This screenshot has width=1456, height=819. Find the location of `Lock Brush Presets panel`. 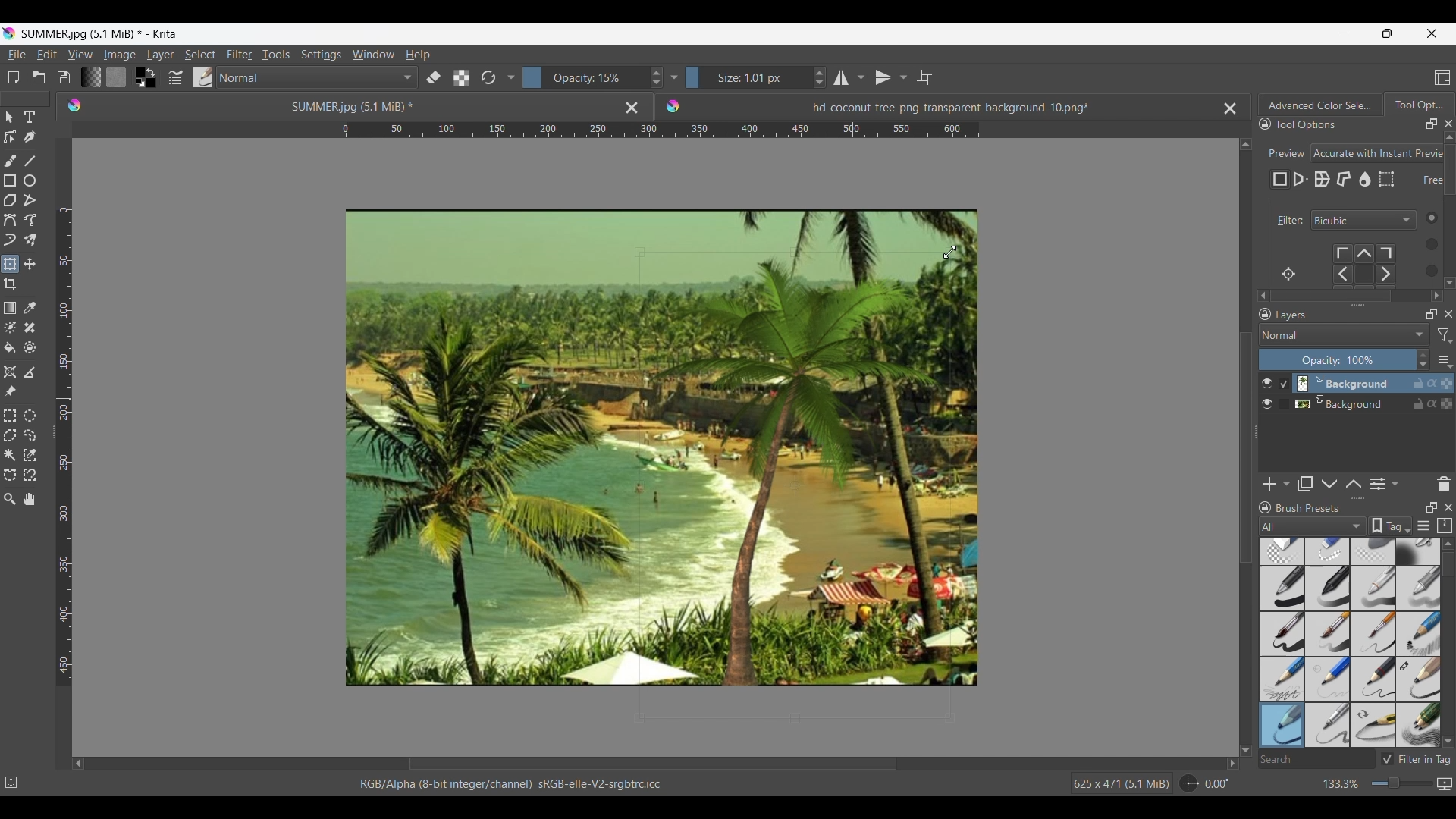

Lock Brush Presets panel is located at coordinates (1266, 507).